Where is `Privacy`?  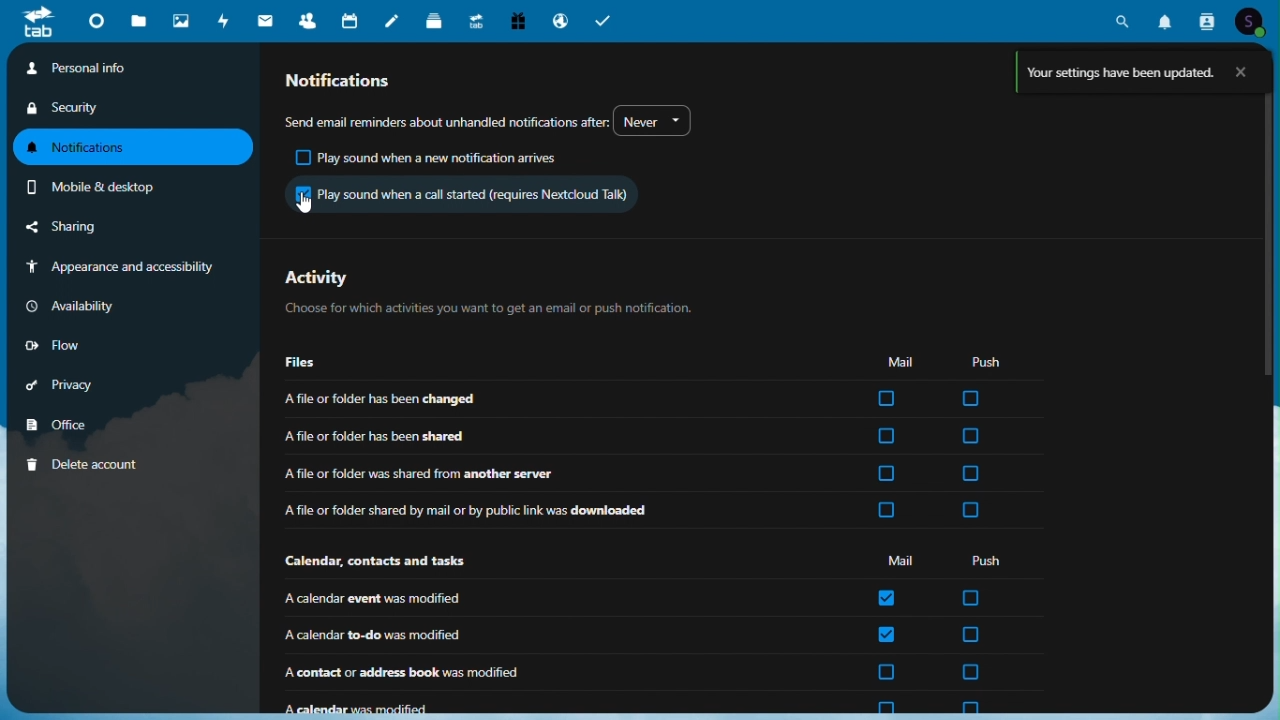 Privacy is located at coordinates (70, 381).